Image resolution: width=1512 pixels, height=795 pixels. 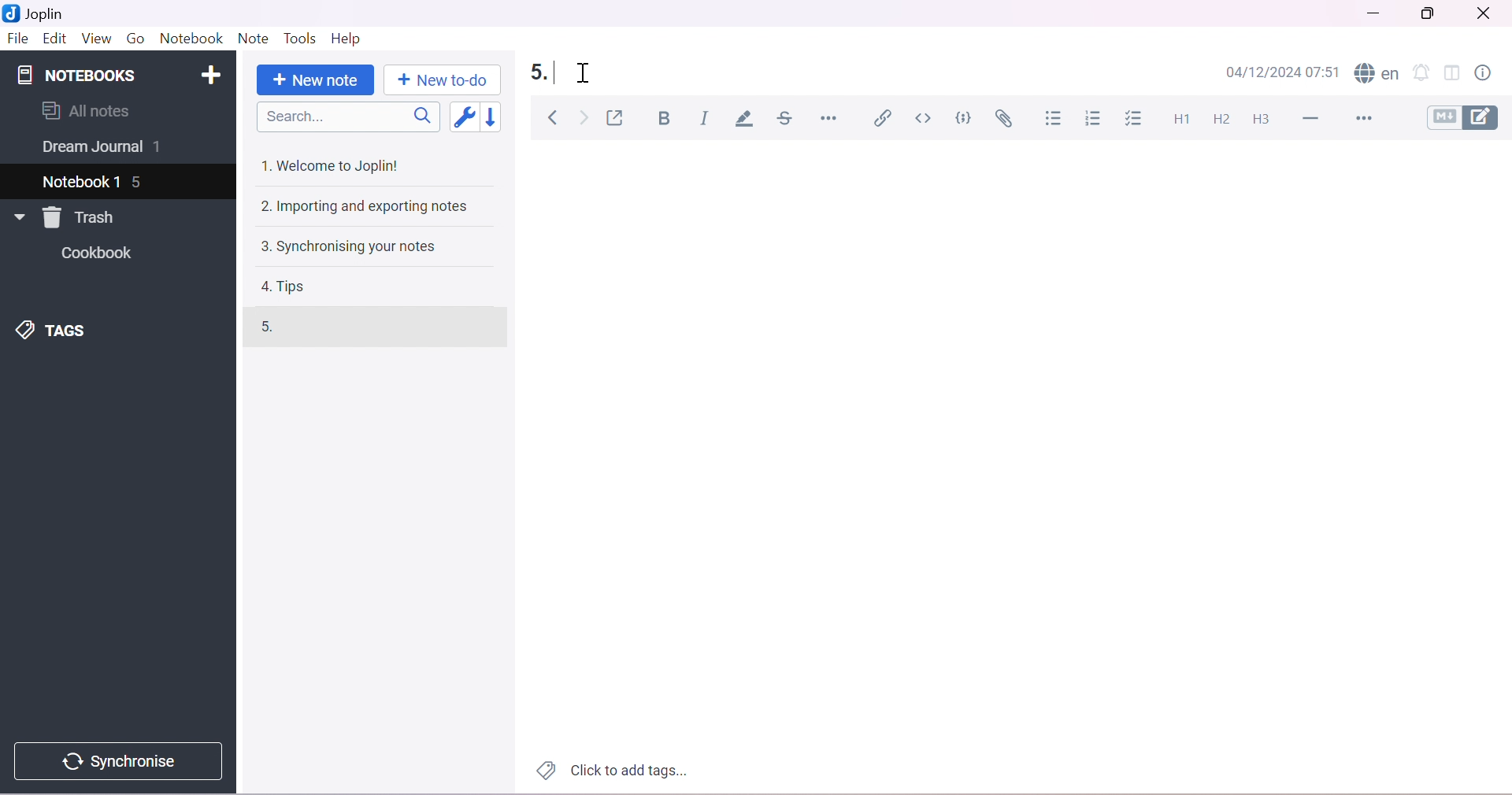 I want to click on Insert/edit link, so click(x=882, y=117).